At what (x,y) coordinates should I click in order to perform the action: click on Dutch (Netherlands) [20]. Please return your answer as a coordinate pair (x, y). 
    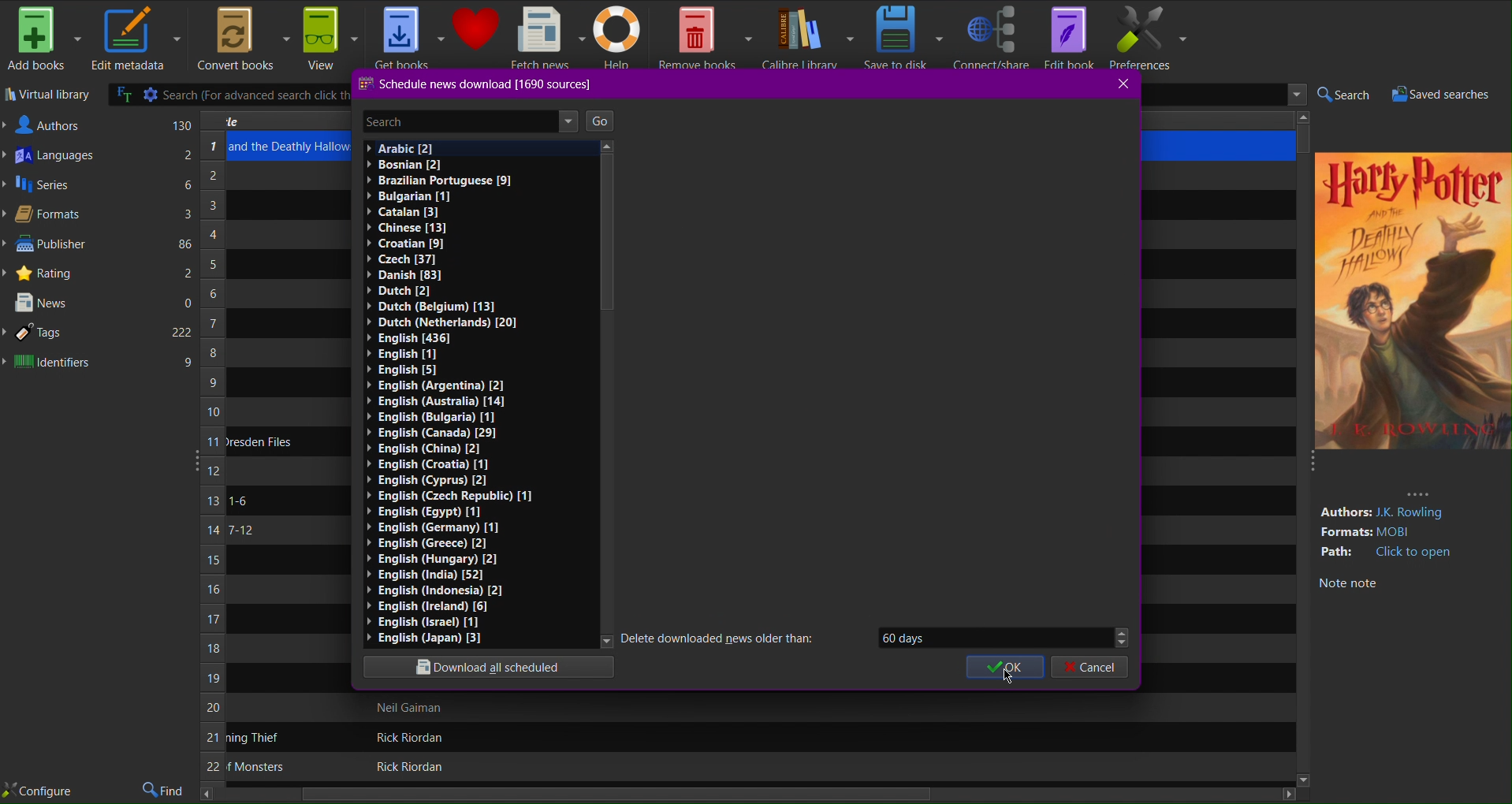
    Looking at the image, I should click on (441, 322).